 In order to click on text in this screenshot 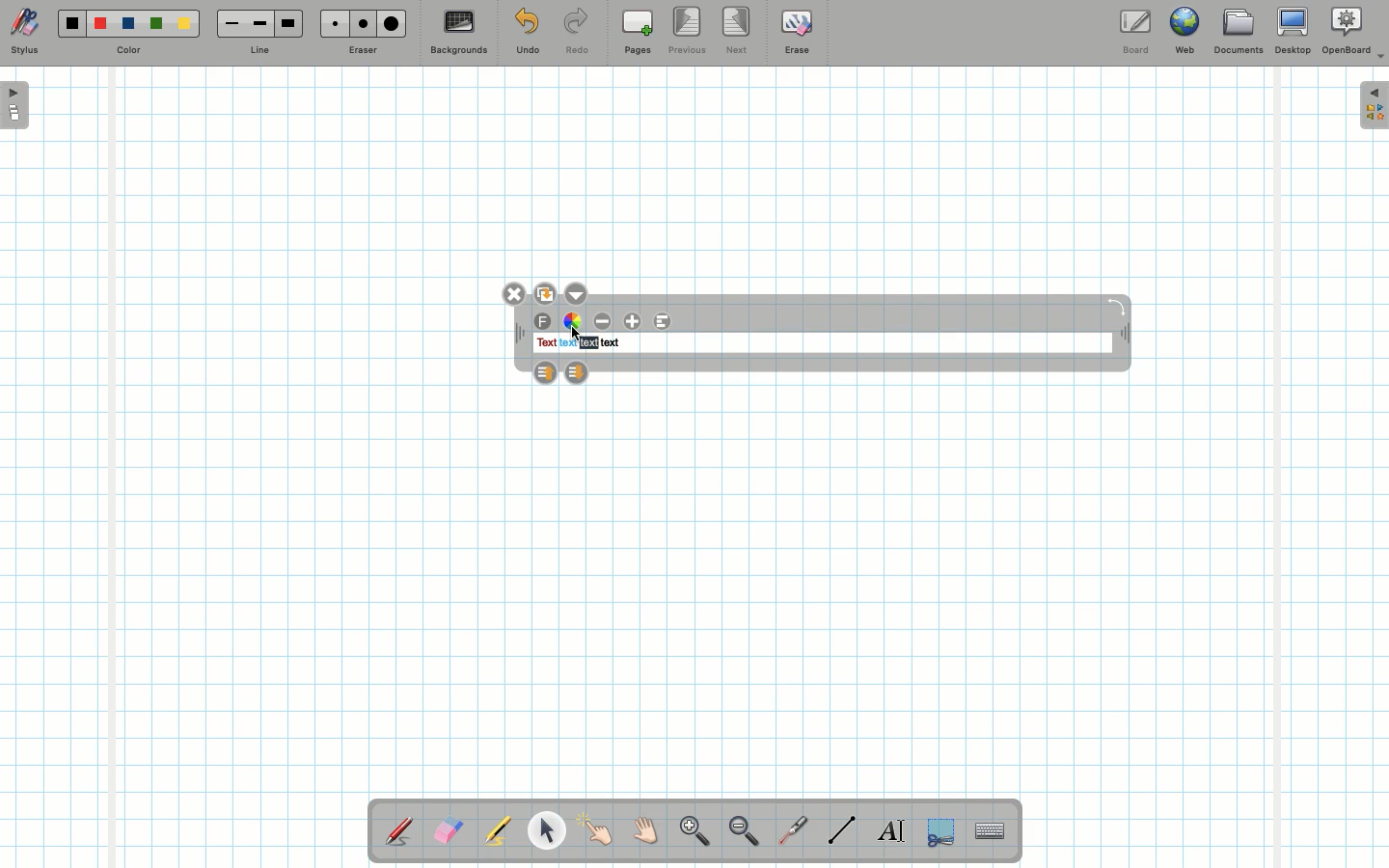, I will do `click(567, 343)`.